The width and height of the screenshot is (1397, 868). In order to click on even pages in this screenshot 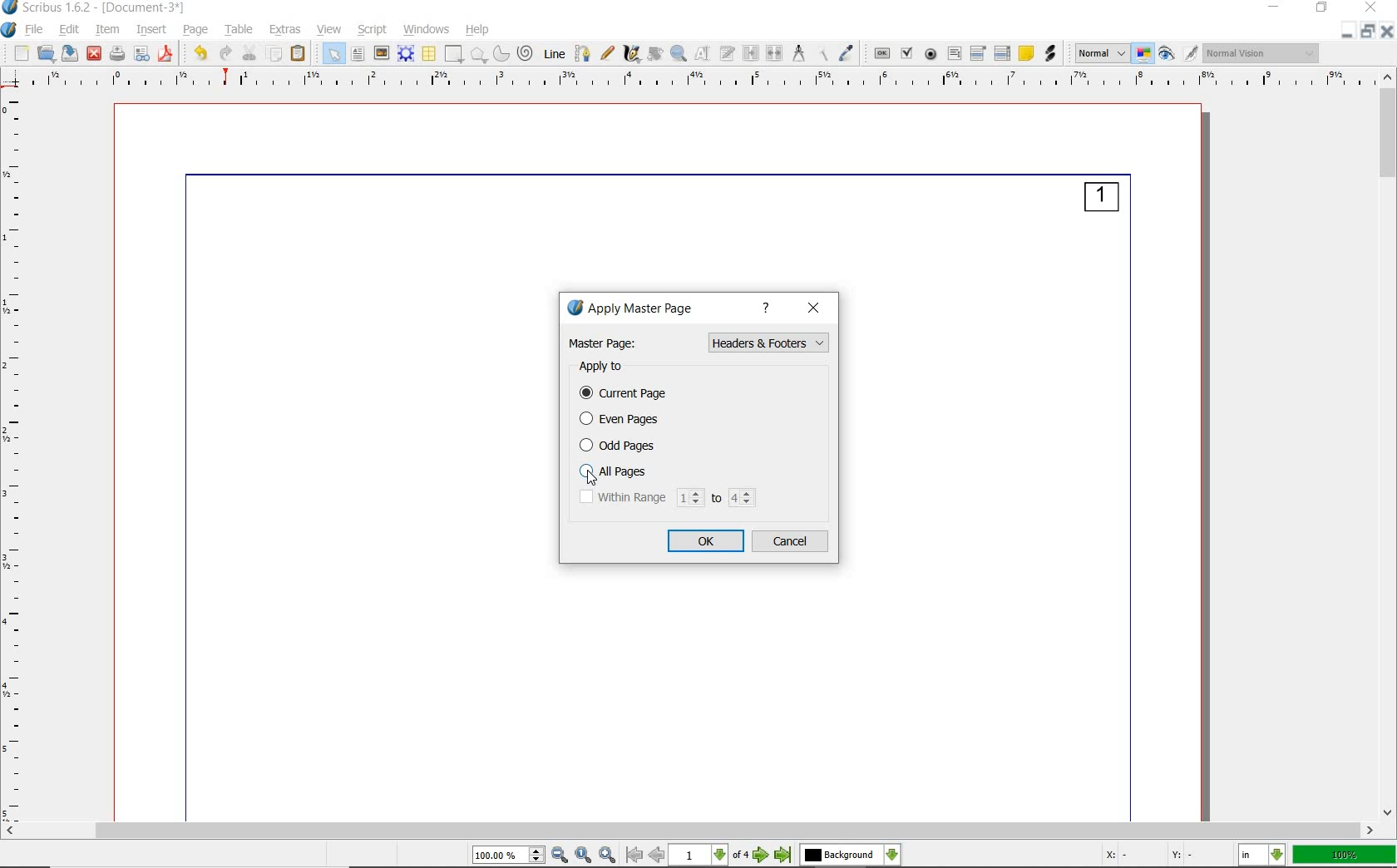, I will do `click(624, 420)`.